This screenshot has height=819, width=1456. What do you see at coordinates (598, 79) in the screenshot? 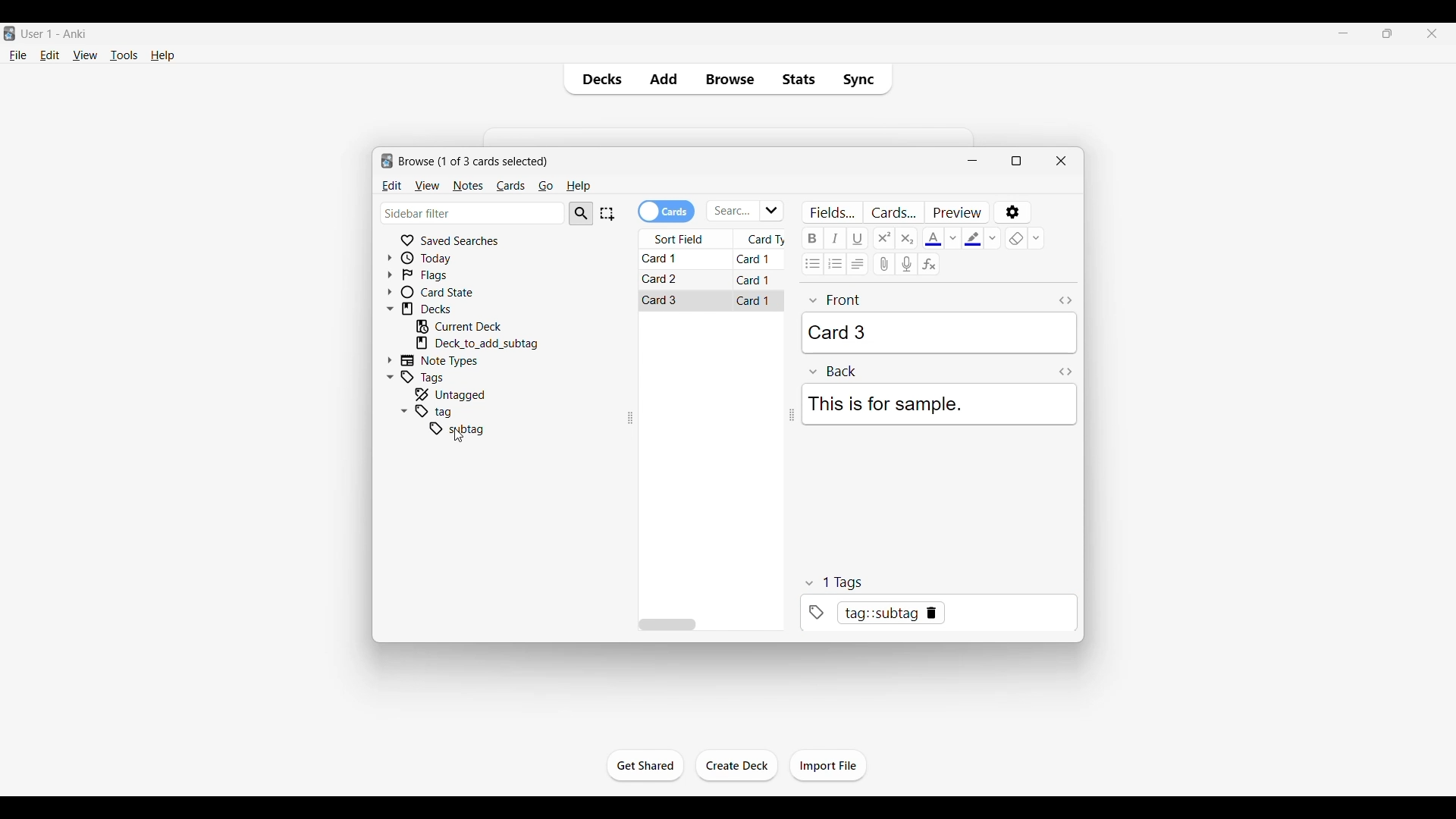
I see `Decks` at bounding box center [598, 79].